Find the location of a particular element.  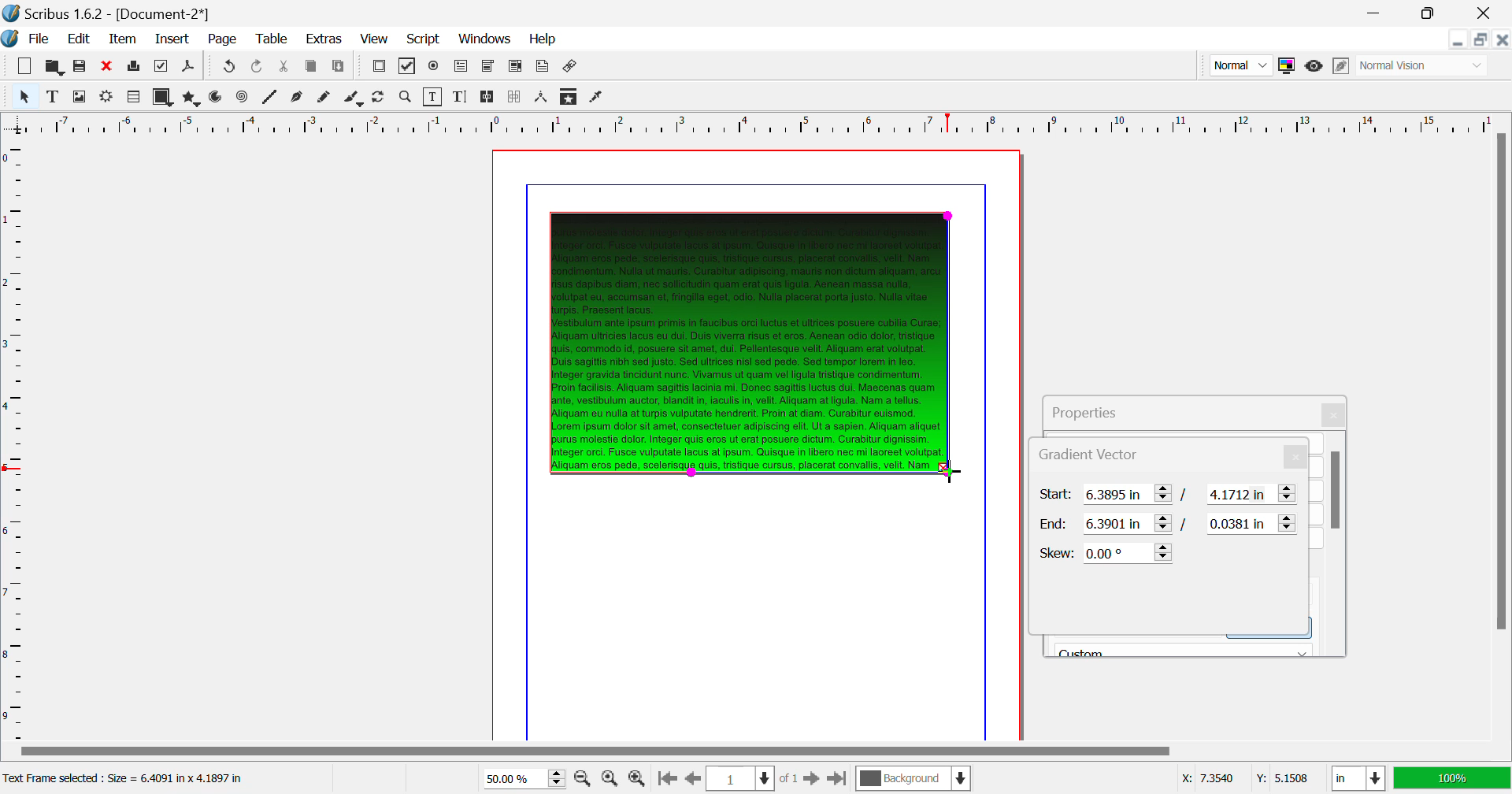

Undo is located at coordinates (259, 68).